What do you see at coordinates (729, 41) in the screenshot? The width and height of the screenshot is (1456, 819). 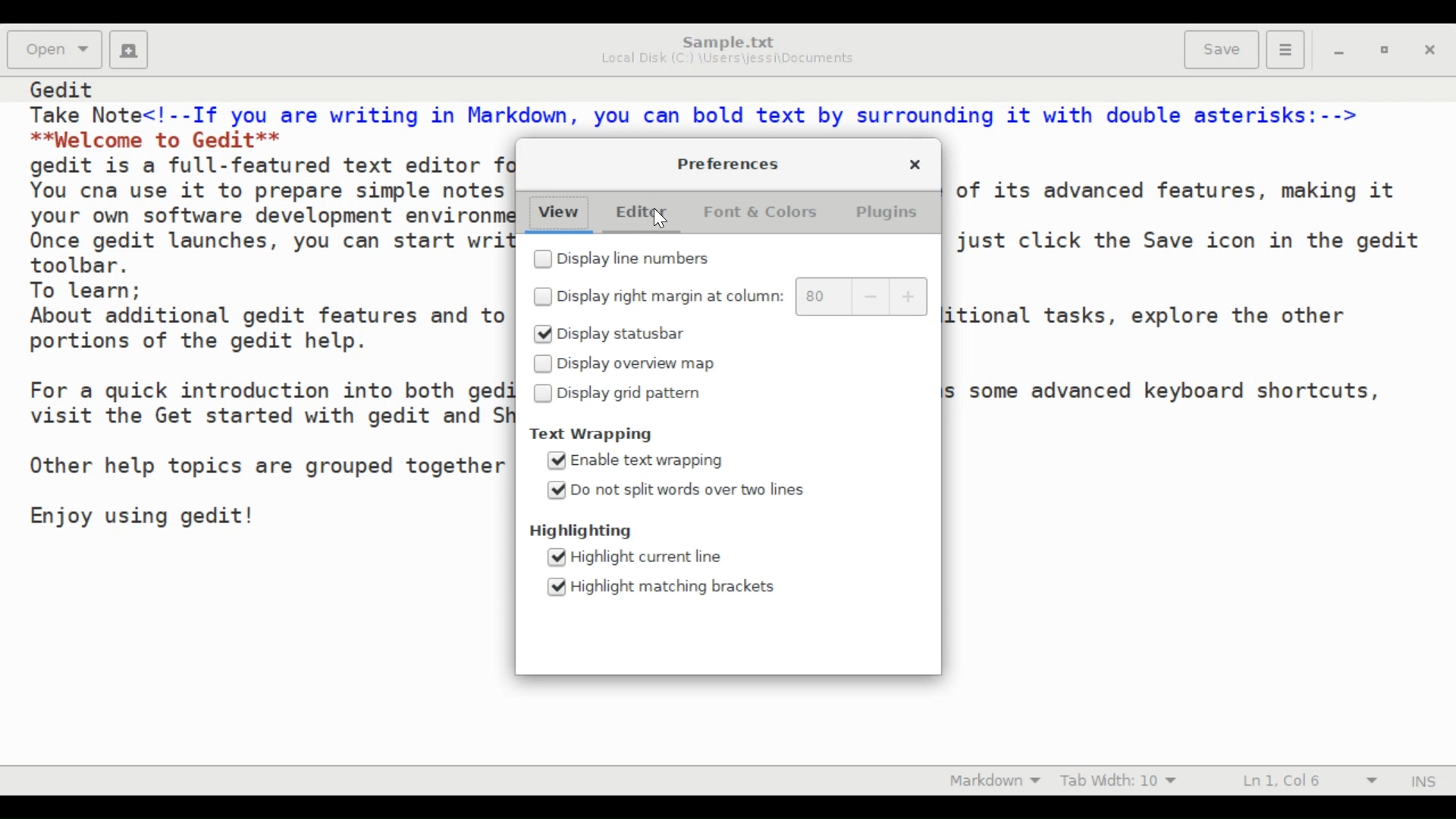 I see `Sample.txt` at bounding box center [729, 41].